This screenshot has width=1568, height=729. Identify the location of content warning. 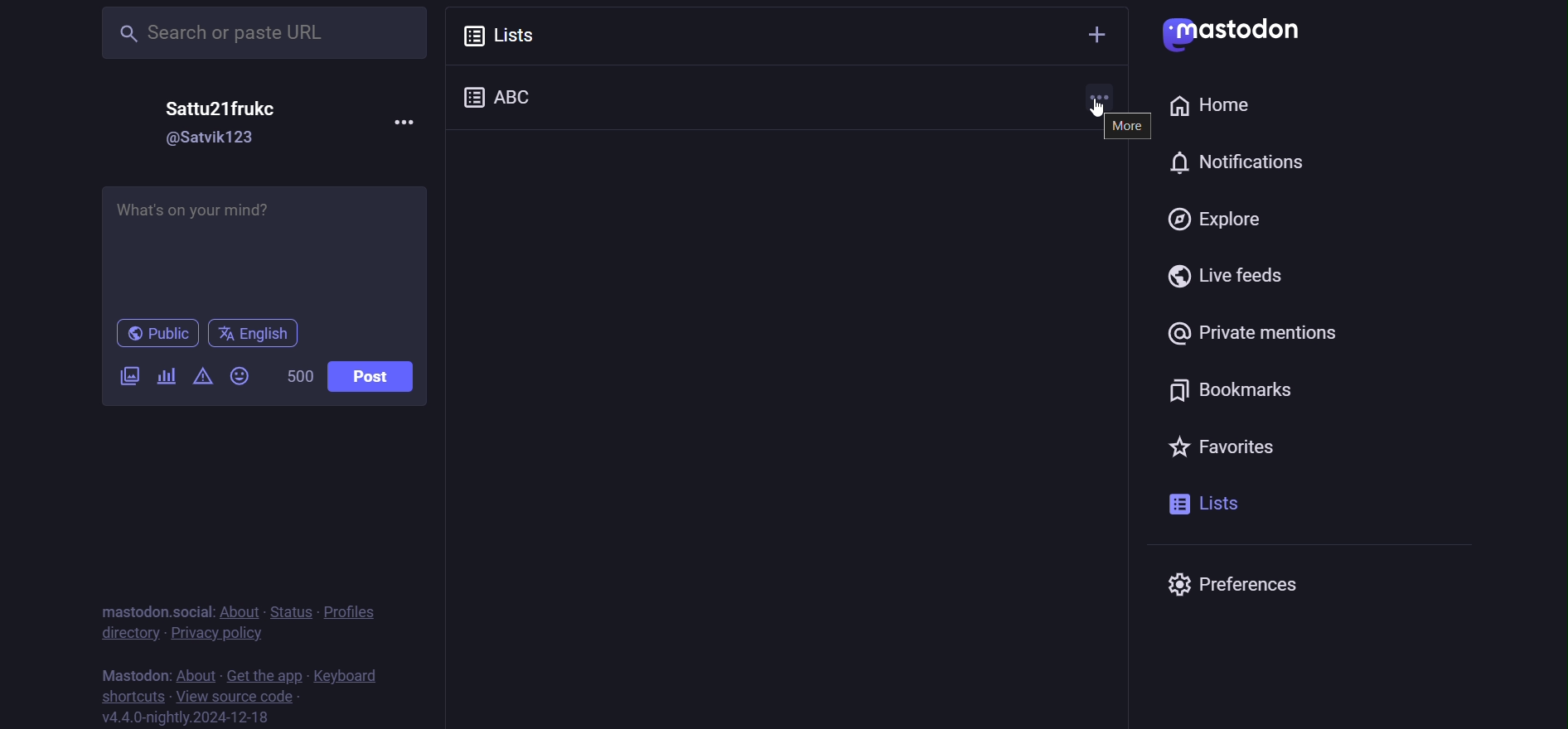
(202, 375).